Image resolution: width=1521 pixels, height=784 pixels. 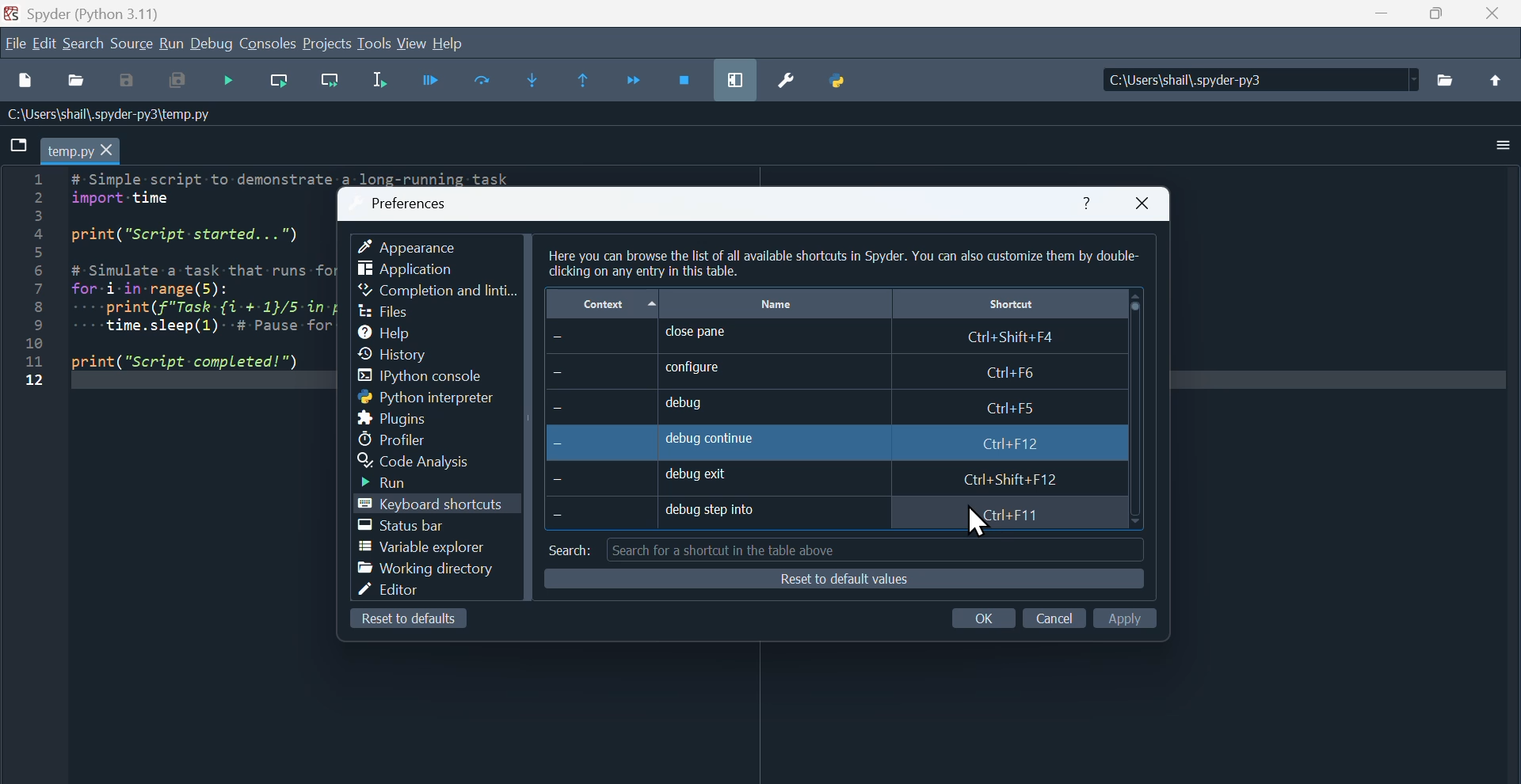 What do you see at coordinates (401, 593) in the screenshot?
I see `Editor` at bounding box center [401, 593].